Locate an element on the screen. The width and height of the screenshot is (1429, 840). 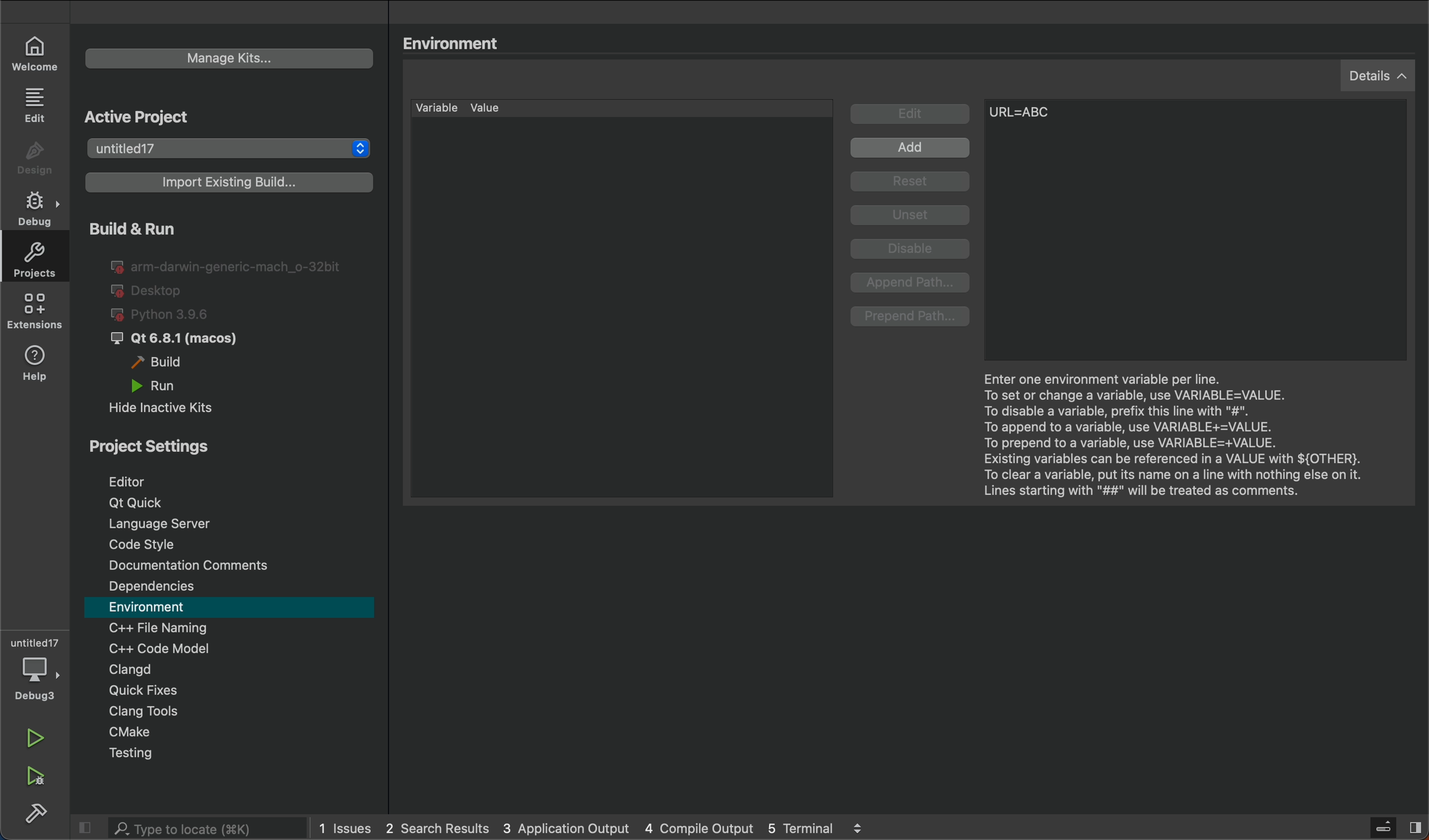
Environment is located at coordinates (459, 41).